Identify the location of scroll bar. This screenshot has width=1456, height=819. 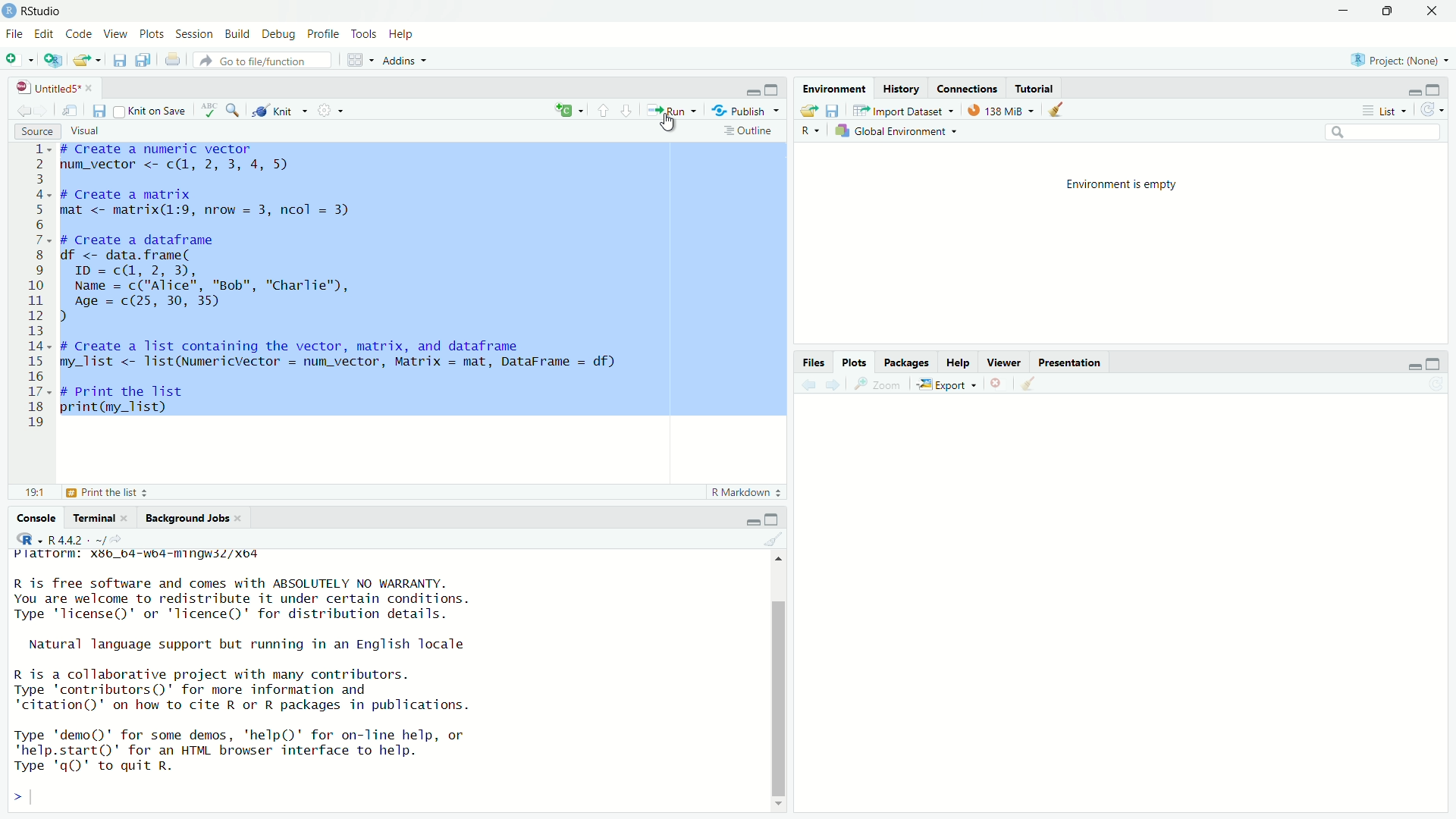
(777, 682).